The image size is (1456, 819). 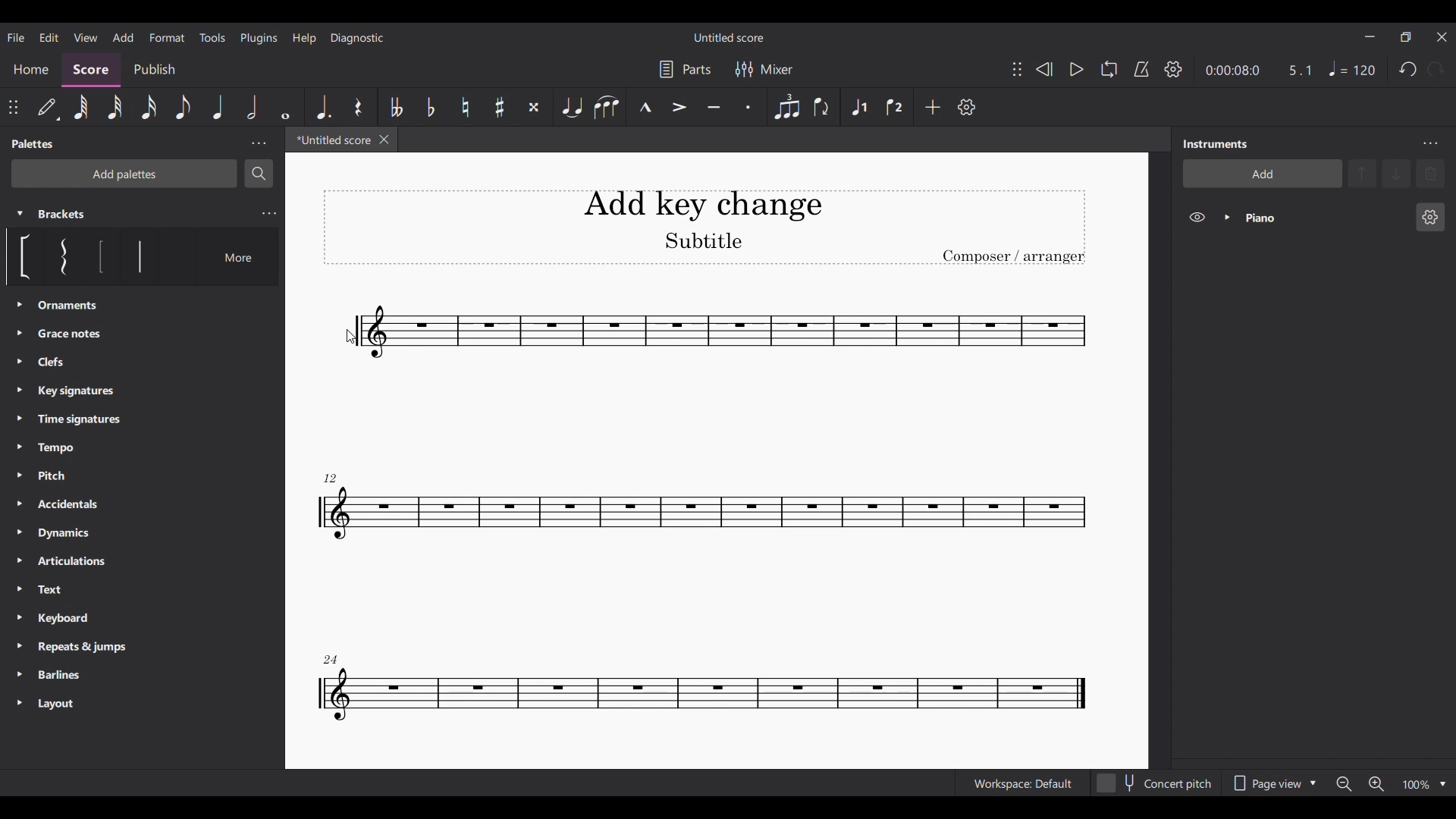 I want to click on Tools menu, so click(x=212, y=38).